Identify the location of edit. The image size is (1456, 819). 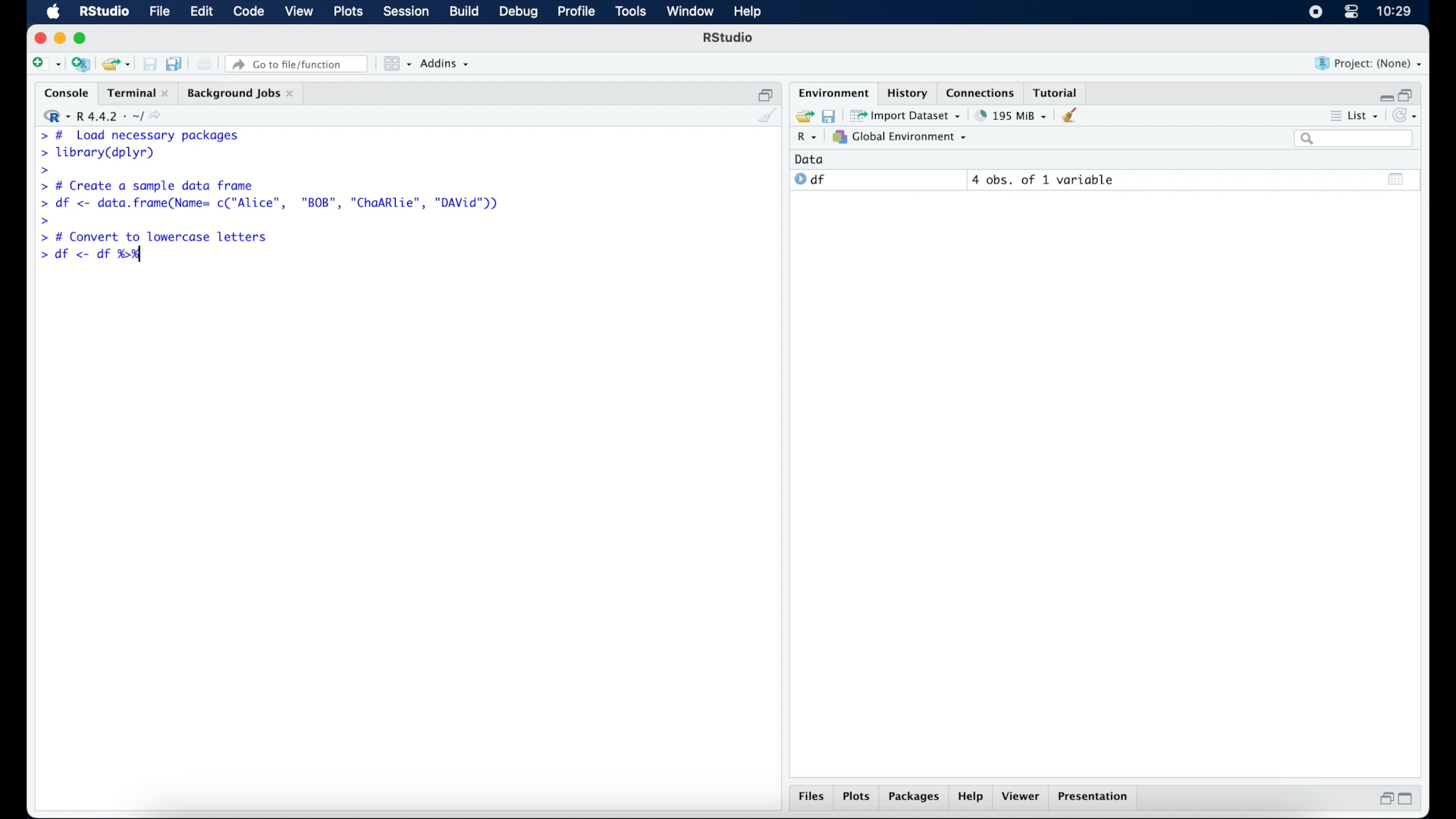
(200, 12).